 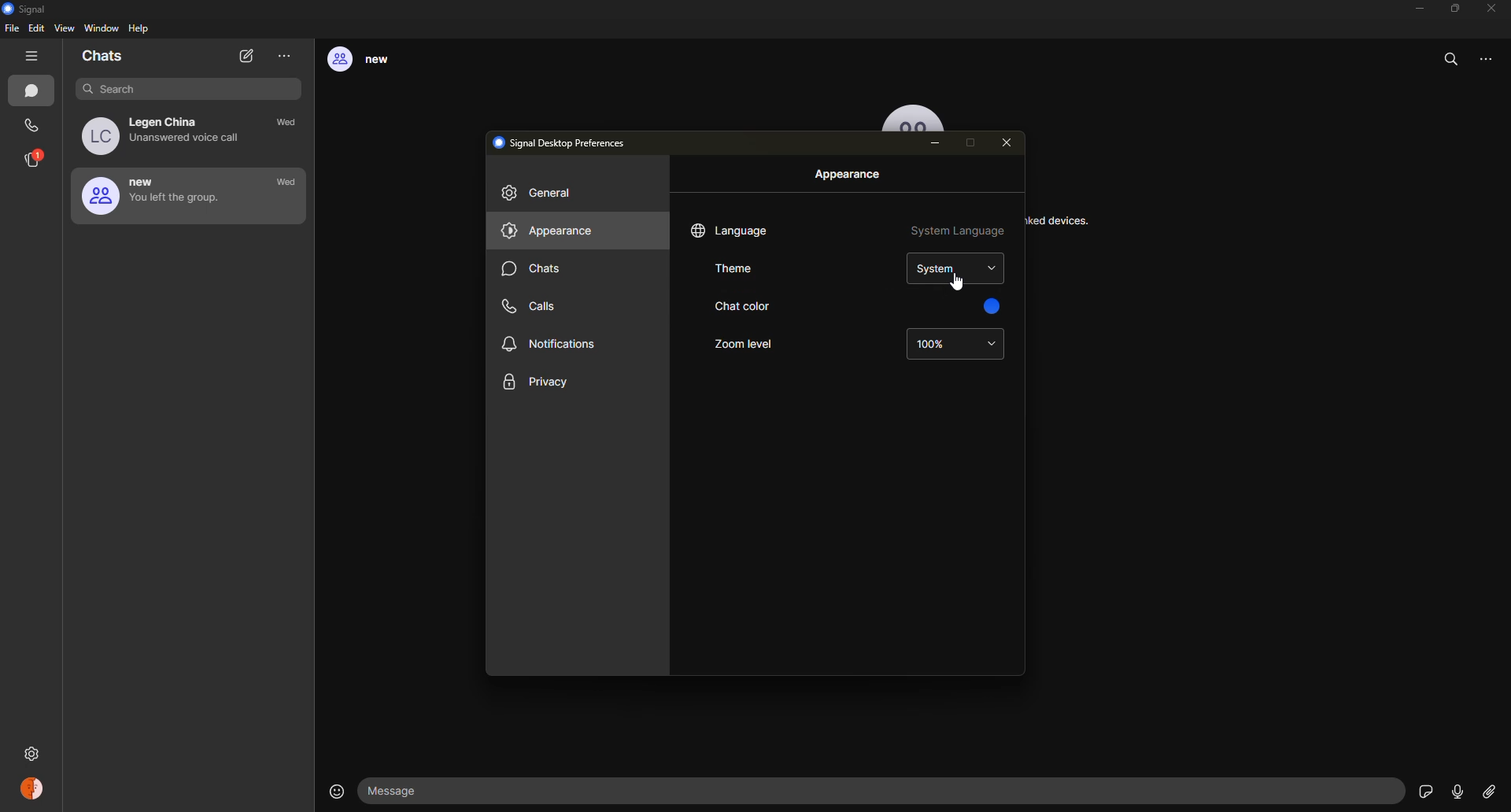 I want to click on calls, so click(x=536, y=304).